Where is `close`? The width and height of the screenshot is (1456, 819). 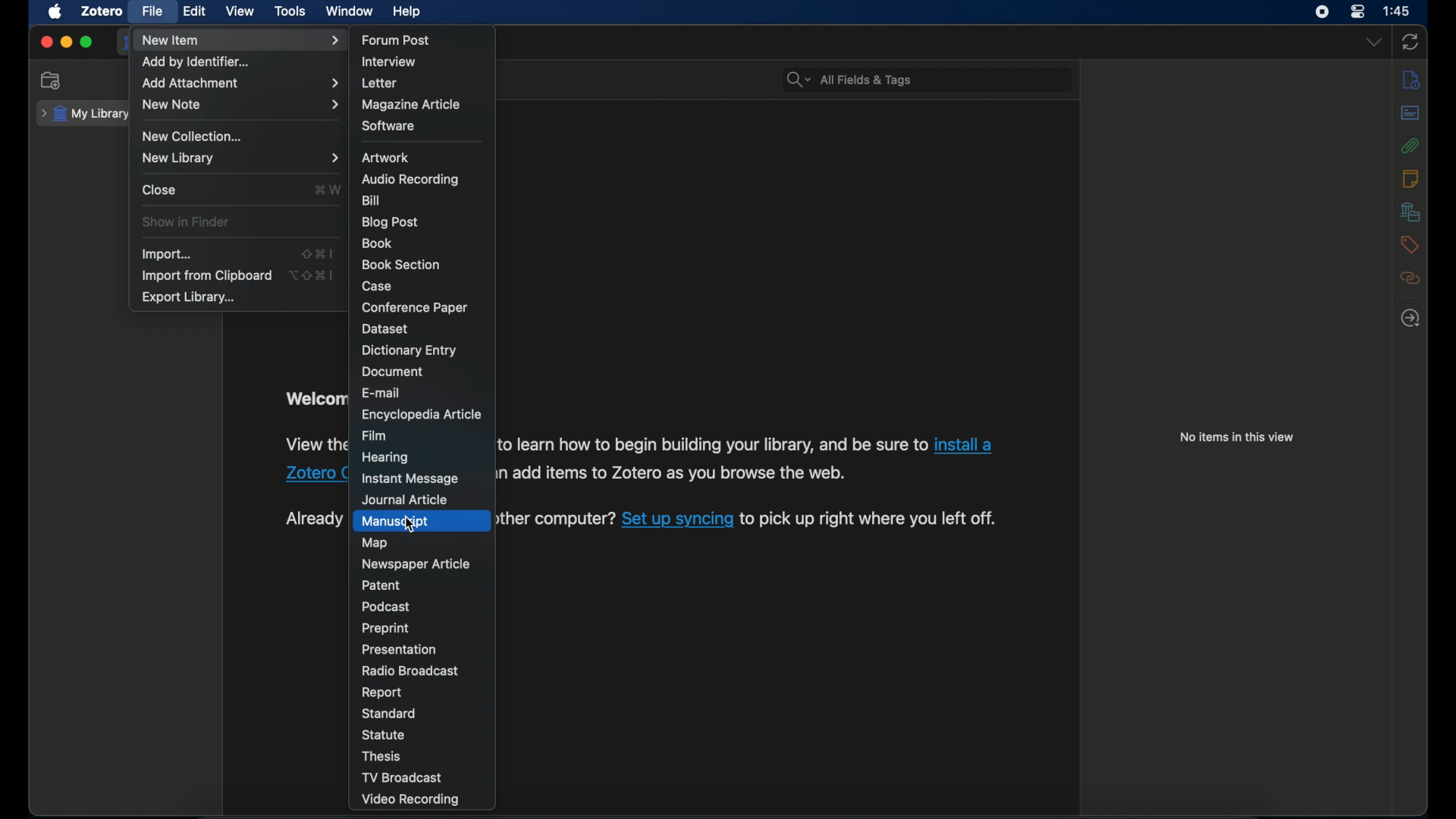
close is located at coordinates (45, 42).